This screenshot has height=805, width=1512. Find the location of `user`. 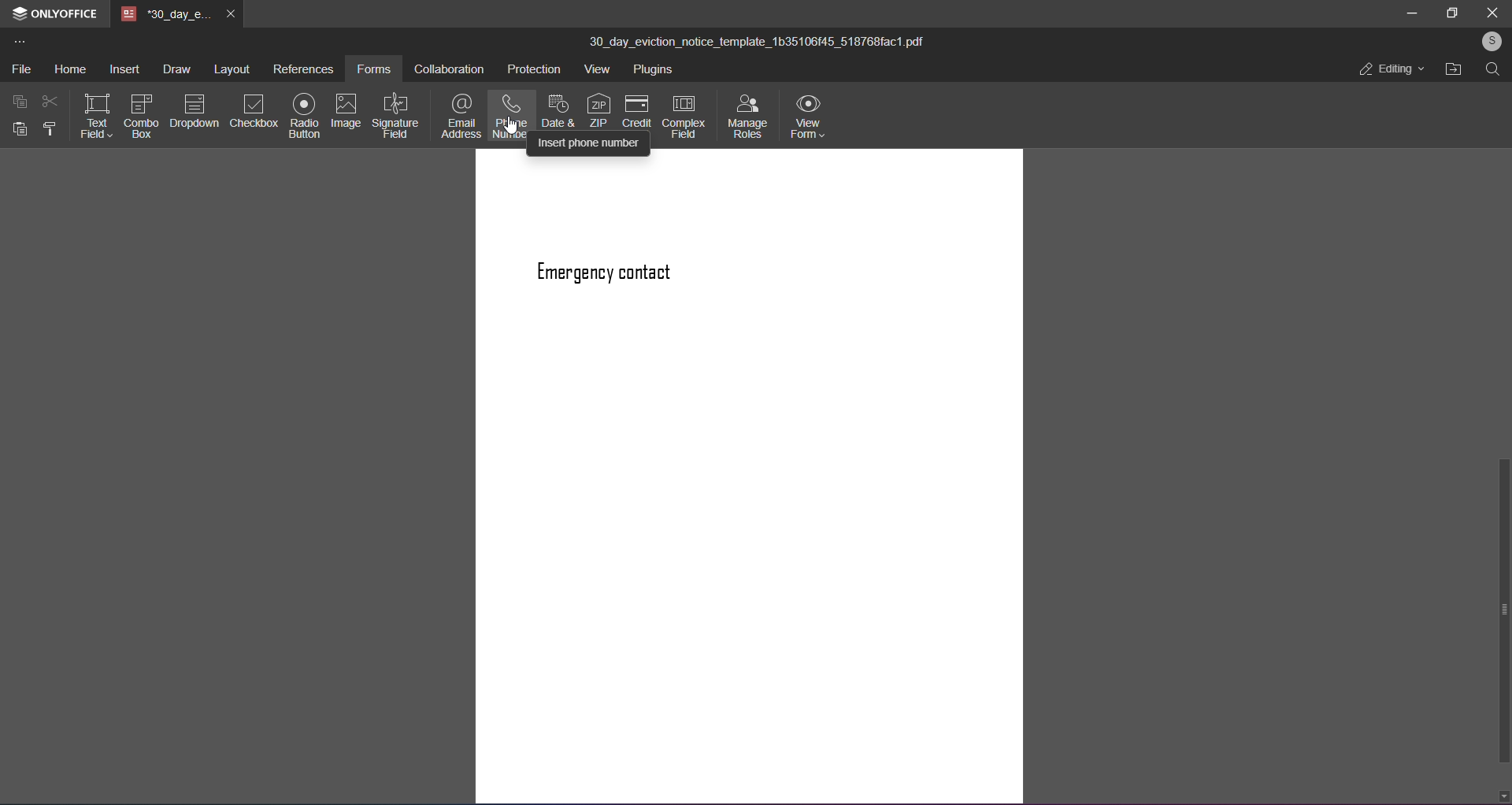

user is located at coordinates (1490, 43).